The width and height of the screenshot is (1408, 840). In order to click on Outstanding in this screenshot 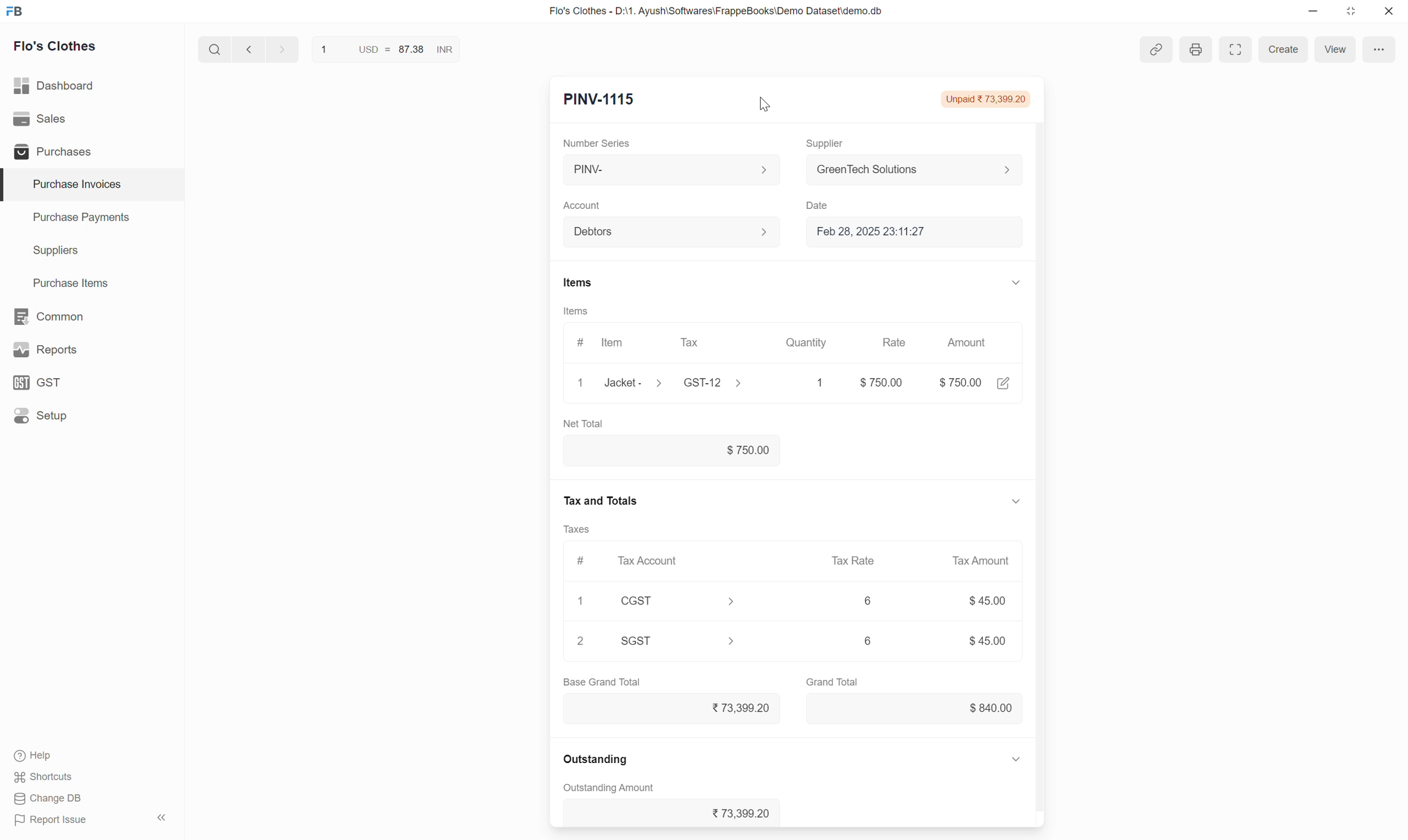, I will do `click(595, 759)`.